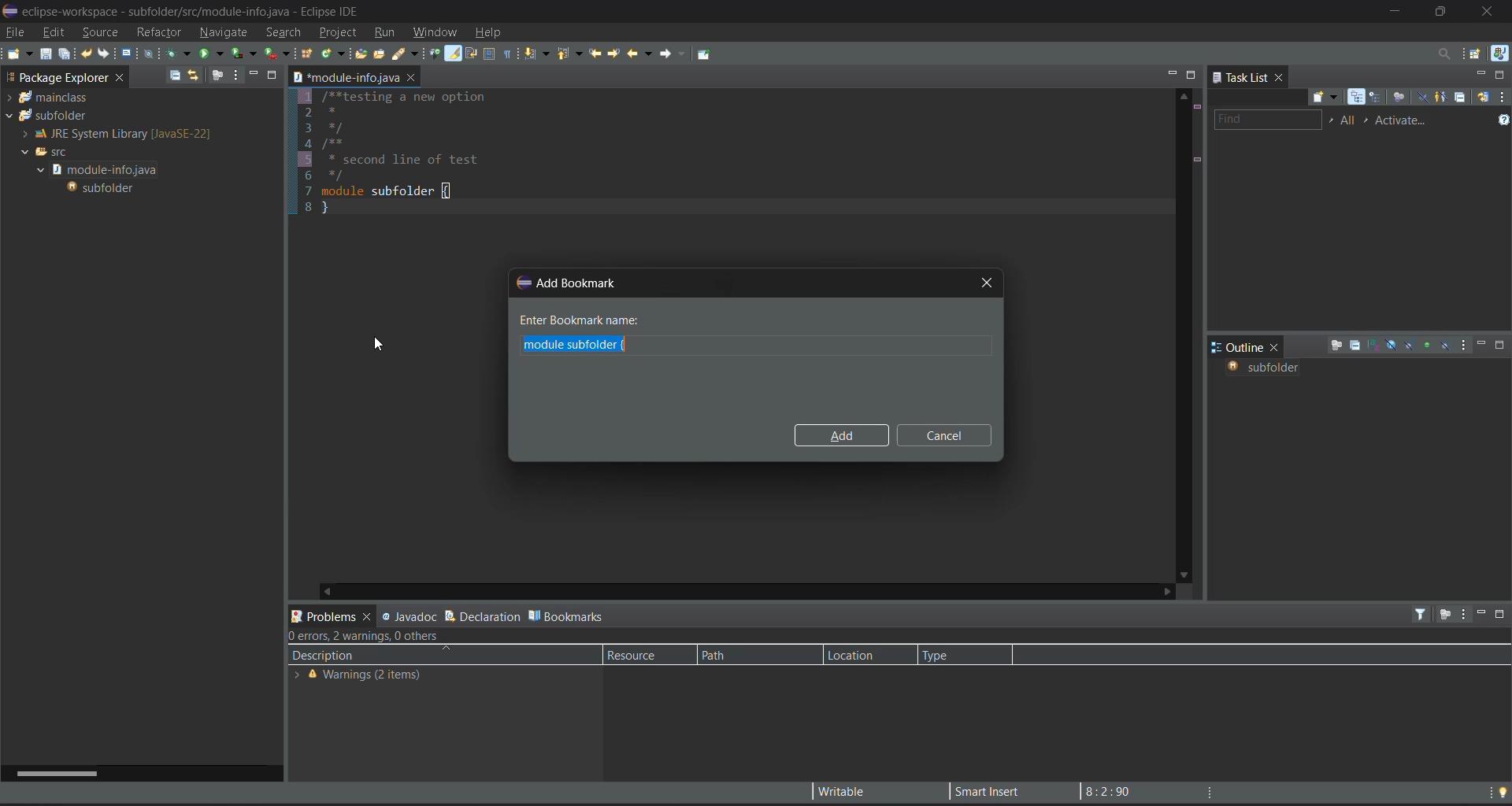 Image resolution: width=1512 pixels, height=806 pixels. Describe the element at coordinates (374, 636) in the screenshot. I see `0 errors, 2 warnings, 0 others` at that location.